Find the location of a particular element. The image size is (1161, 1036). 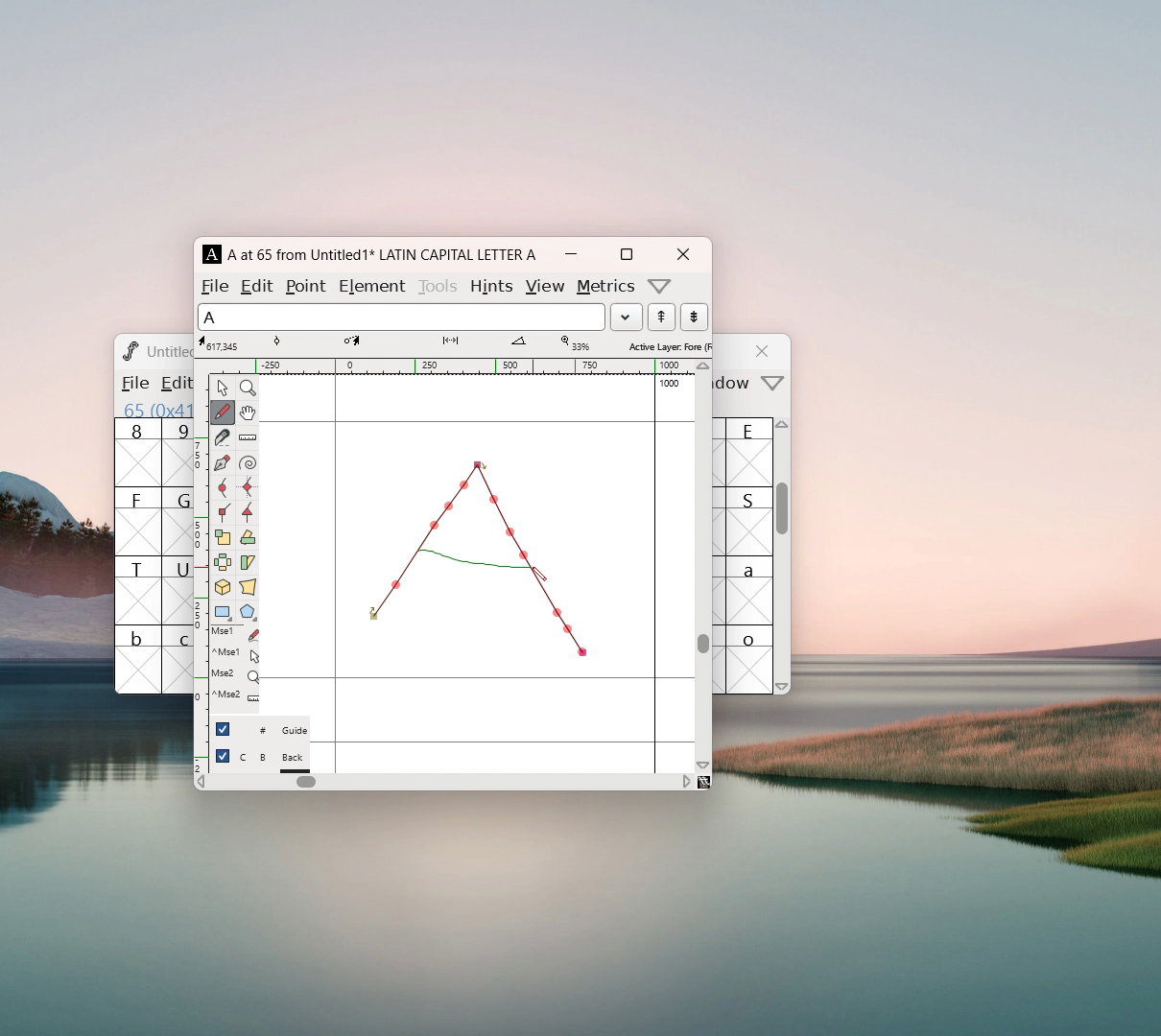

65 (0x41 is located at coordinates (154, 409).